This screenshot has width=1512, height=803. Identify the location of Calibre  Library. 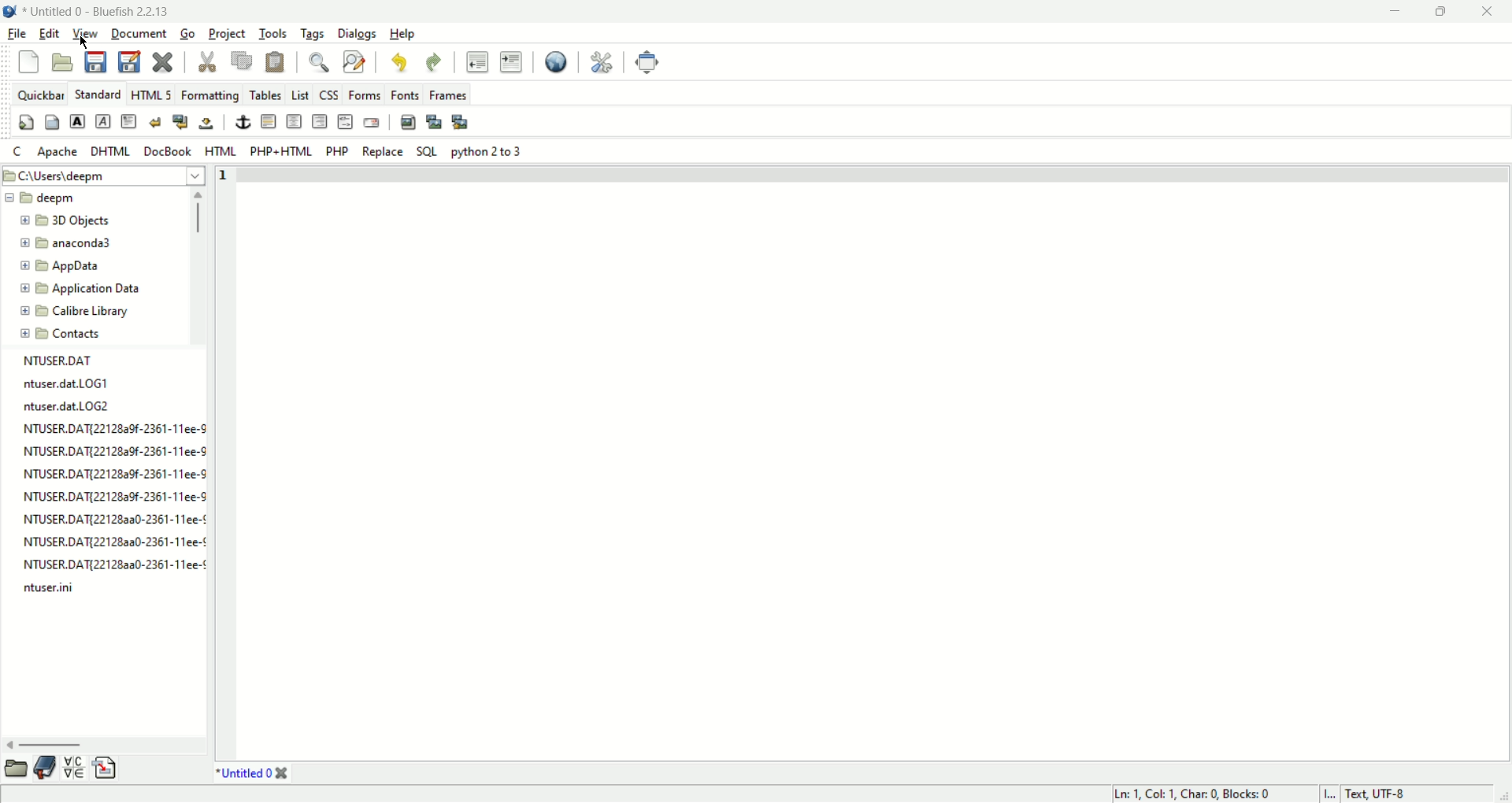
(76, 311).